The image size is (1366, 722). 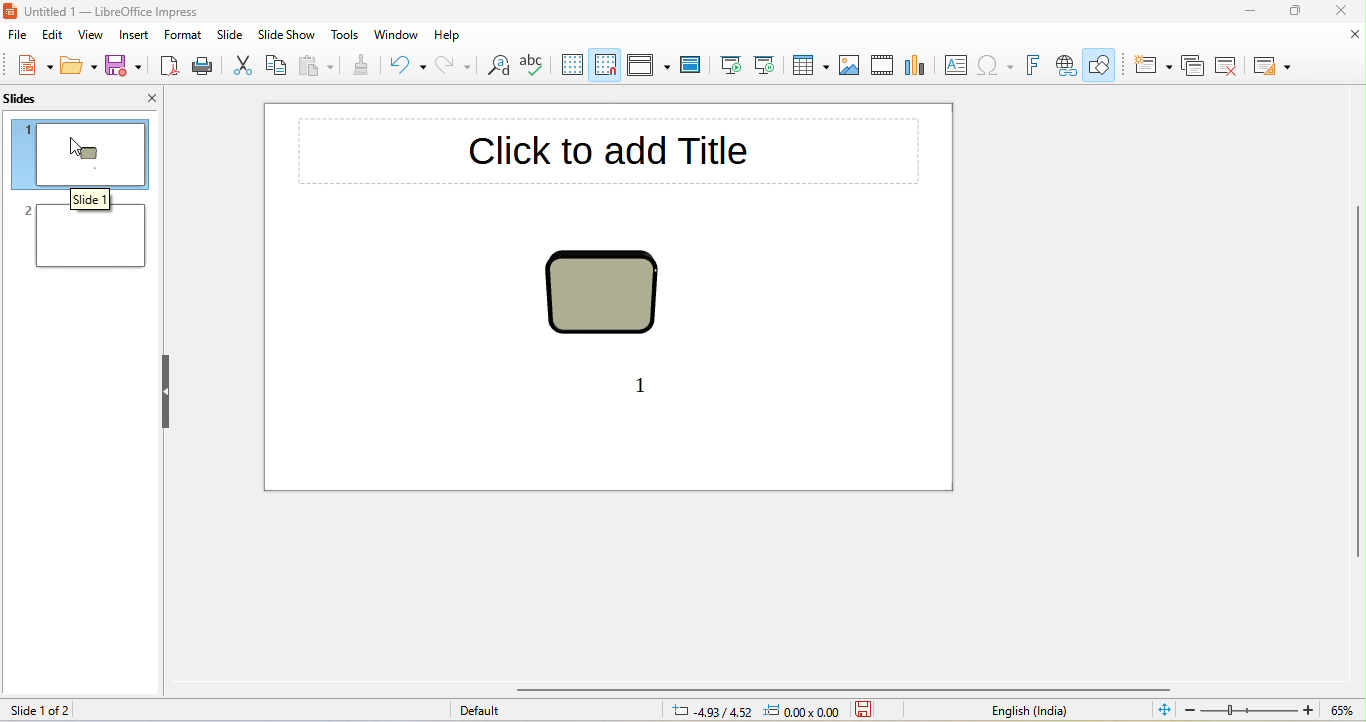 What do you see at coordinates (54, 35) in the screenshot?
I see `edit` at bounding box center [54, 35].